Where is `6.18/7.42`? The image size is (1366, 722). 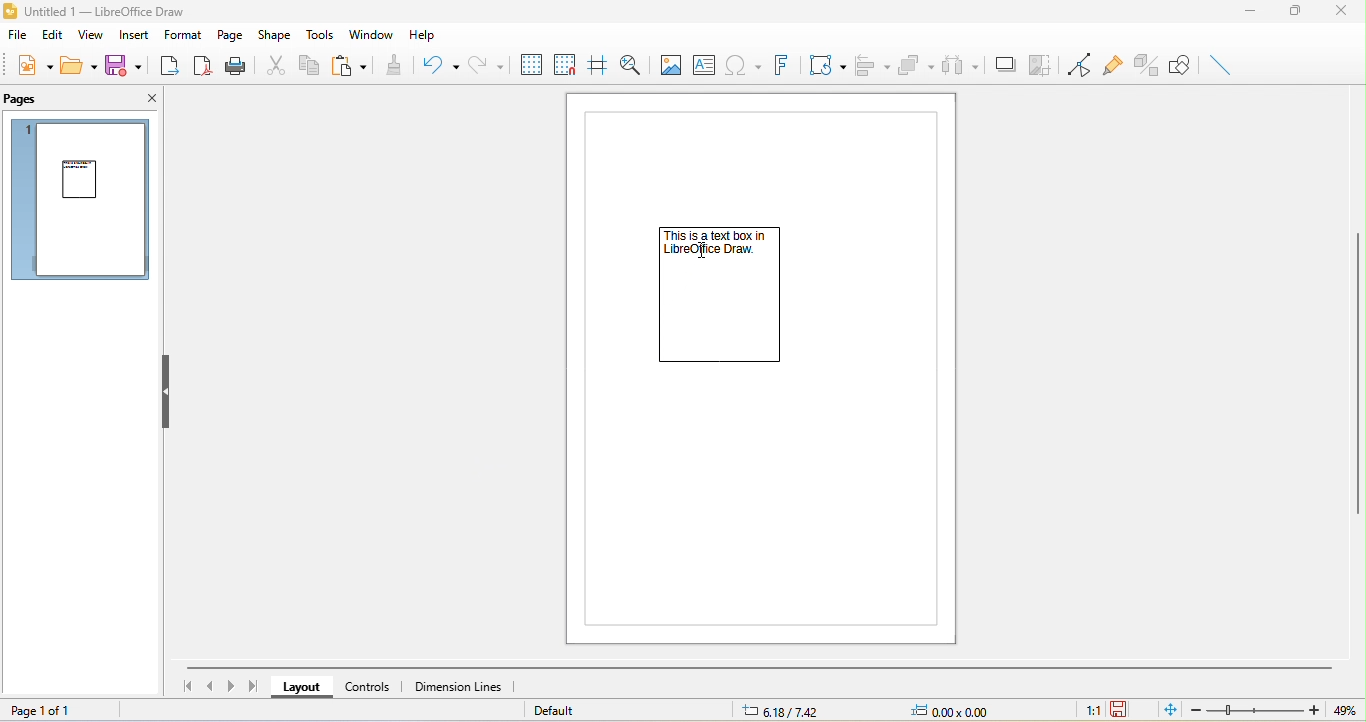 6.18/7.42 is located at coordinates (785, 710).